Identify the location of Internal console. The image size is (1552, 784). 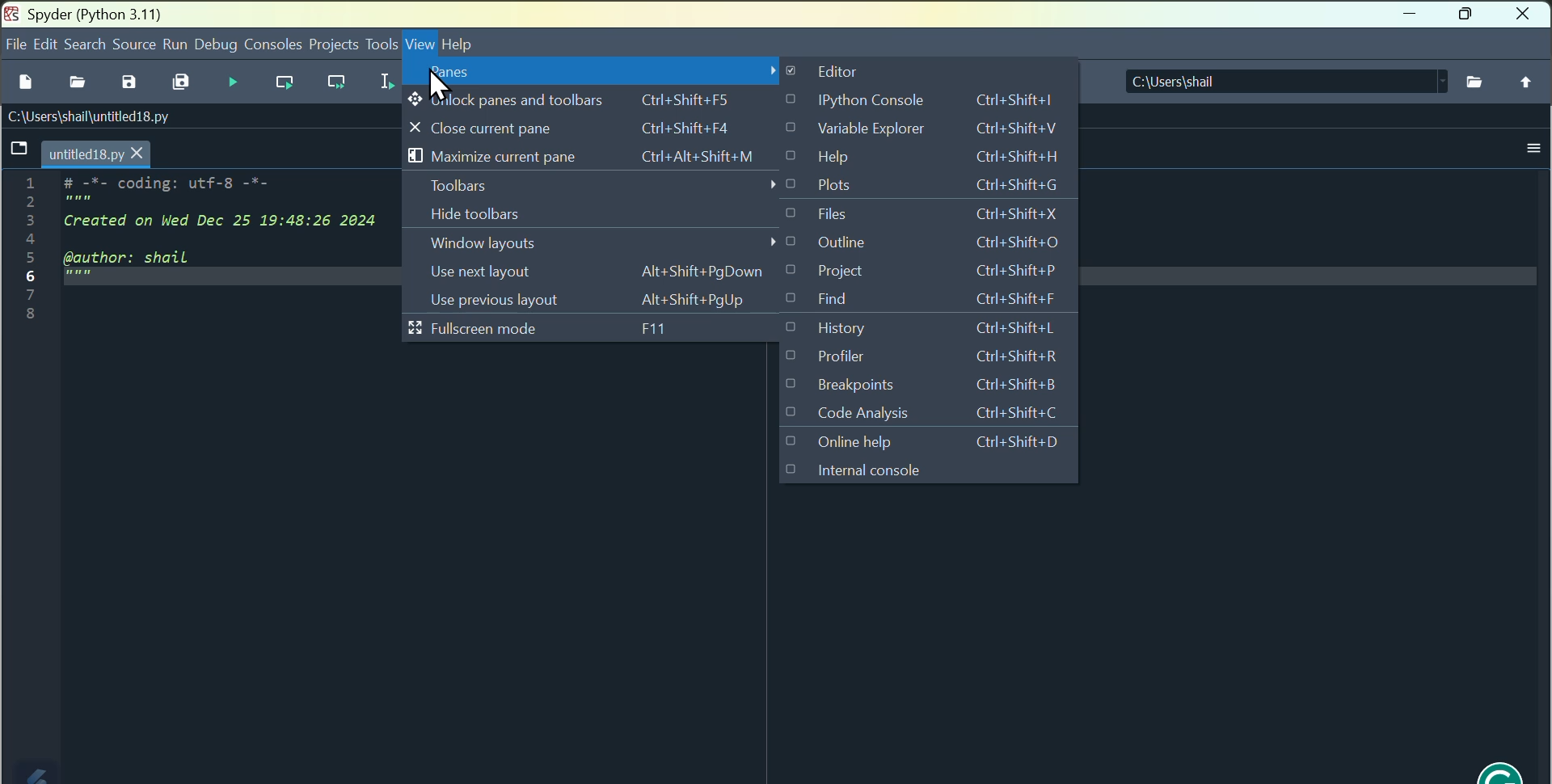
(860, 470).